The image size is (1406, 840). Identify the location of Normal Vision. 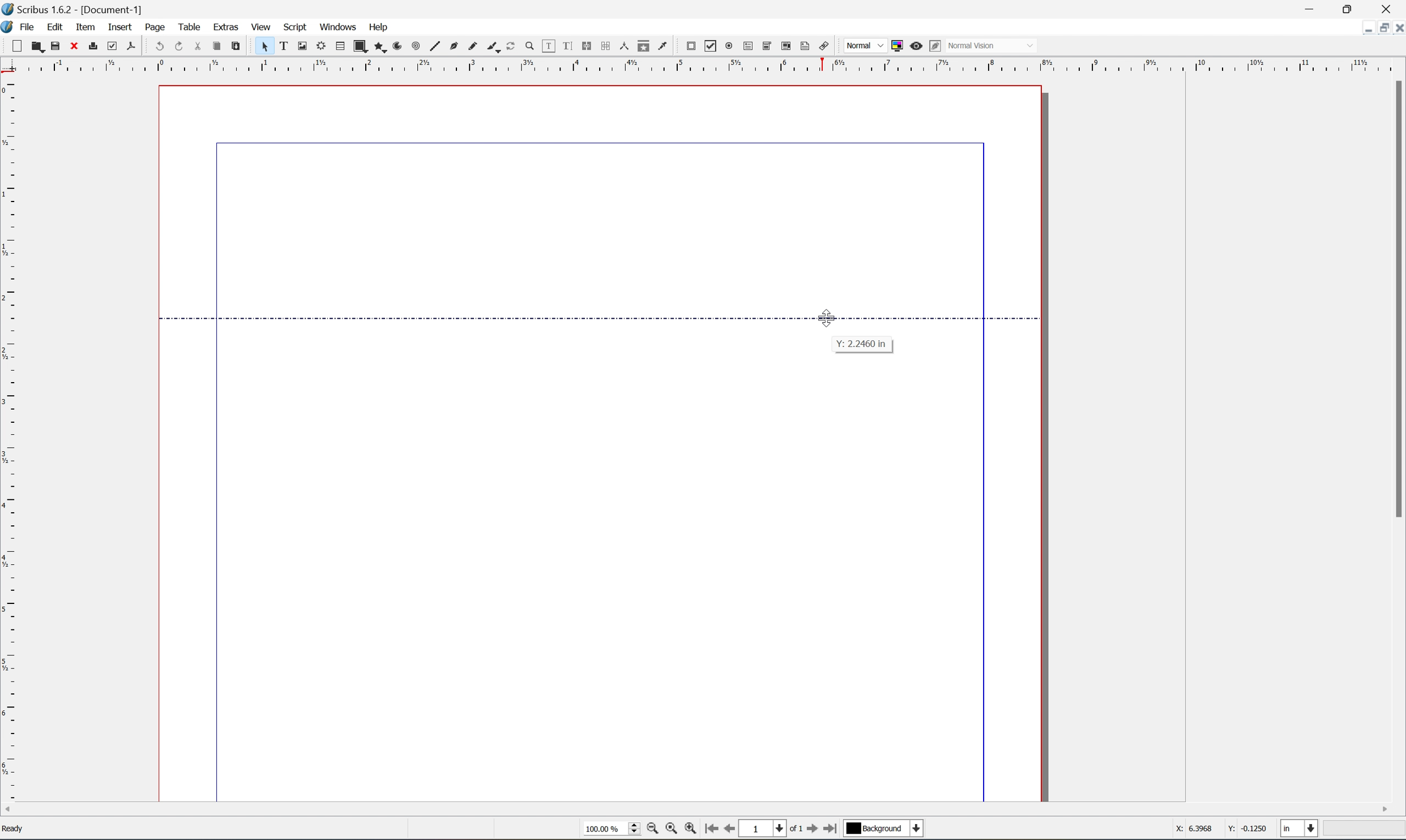
(992, 45).